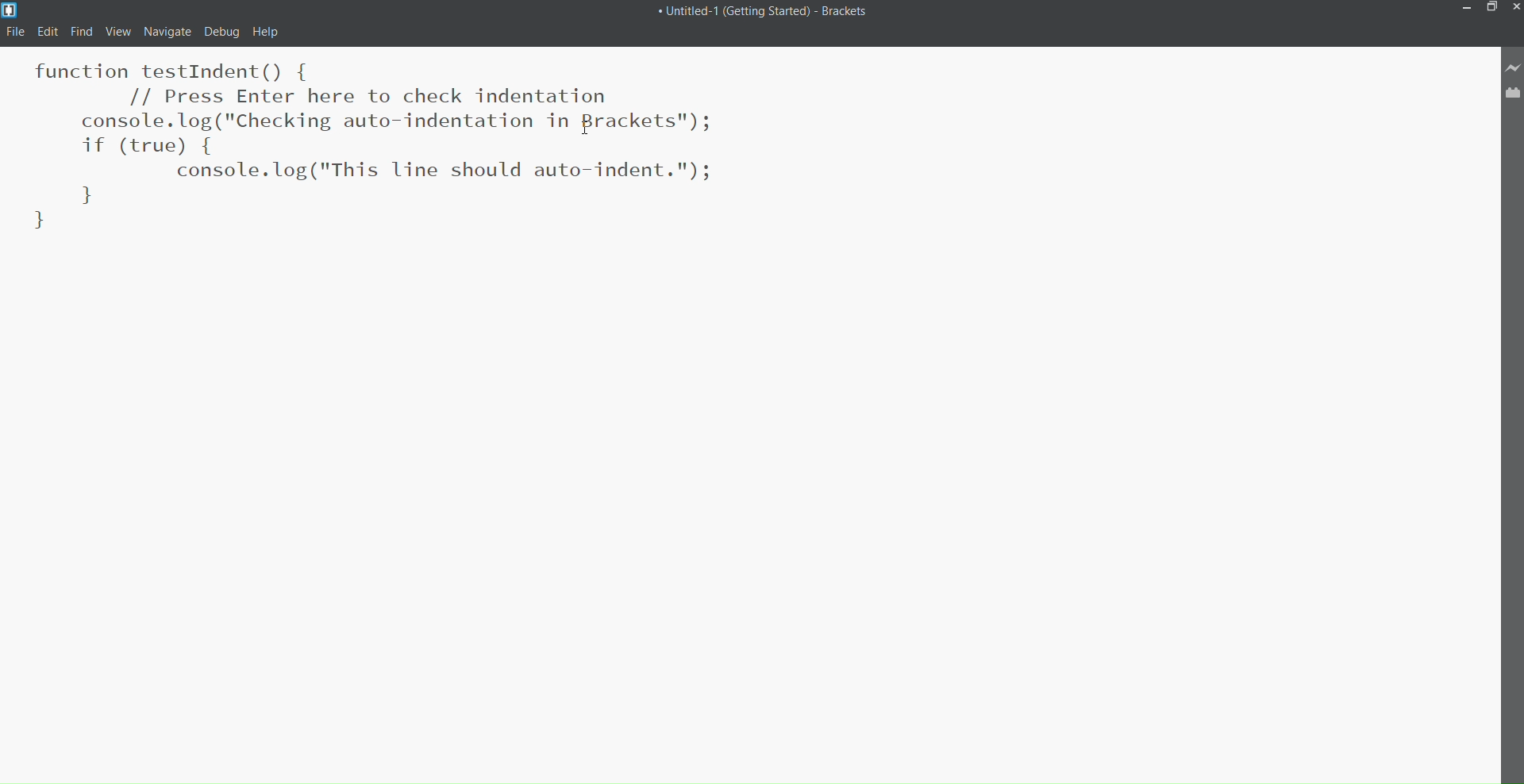 This screenshot has height=784, width=1524. Describe the element at coordinates (11, 10) in the screenshot. I see `Logo` at that location.